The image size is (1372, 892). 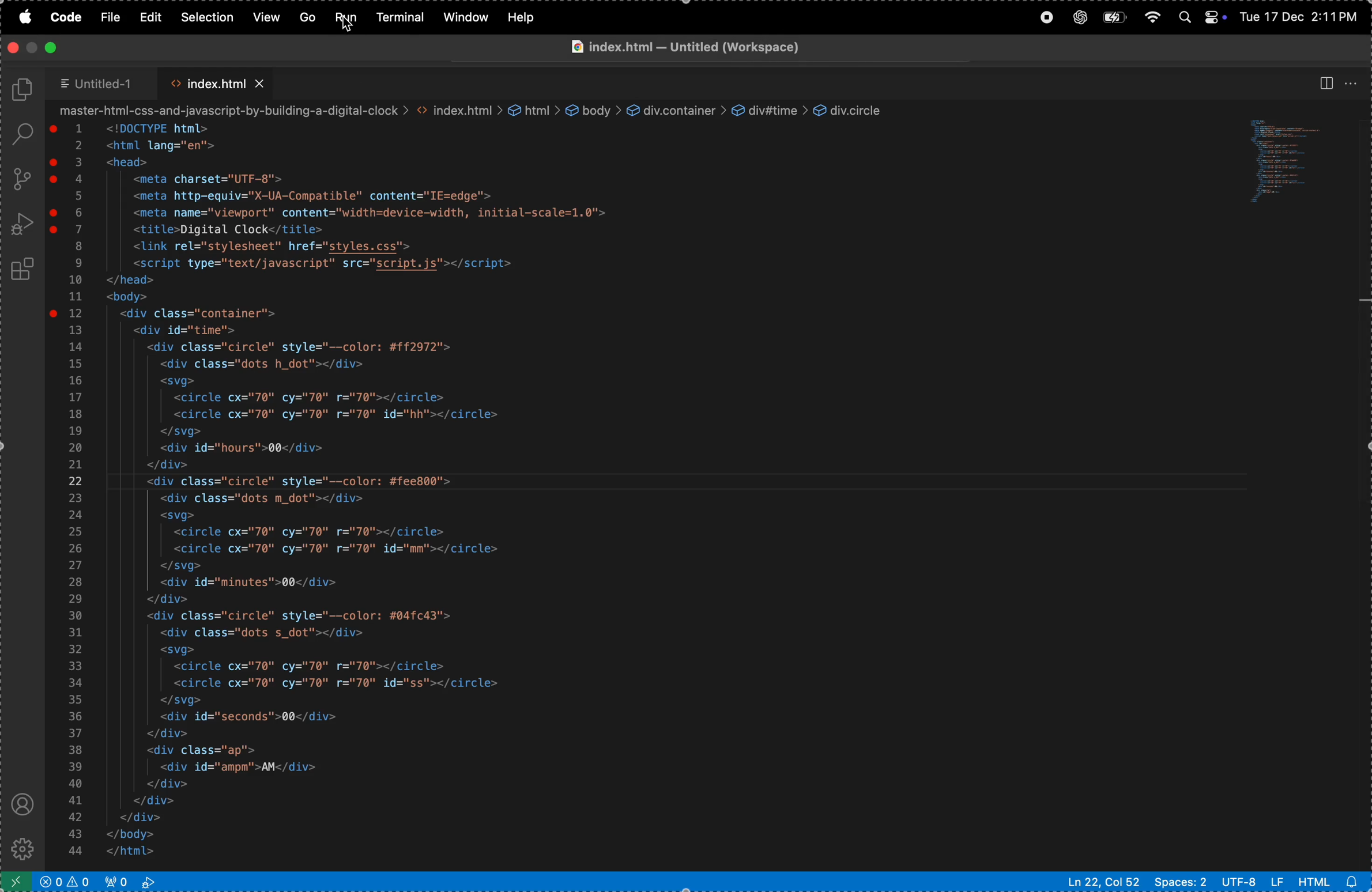 What do you see at coordinates (101, 84) in the screenshot?
I see `untitled 1` at bounding box center [101, 84].